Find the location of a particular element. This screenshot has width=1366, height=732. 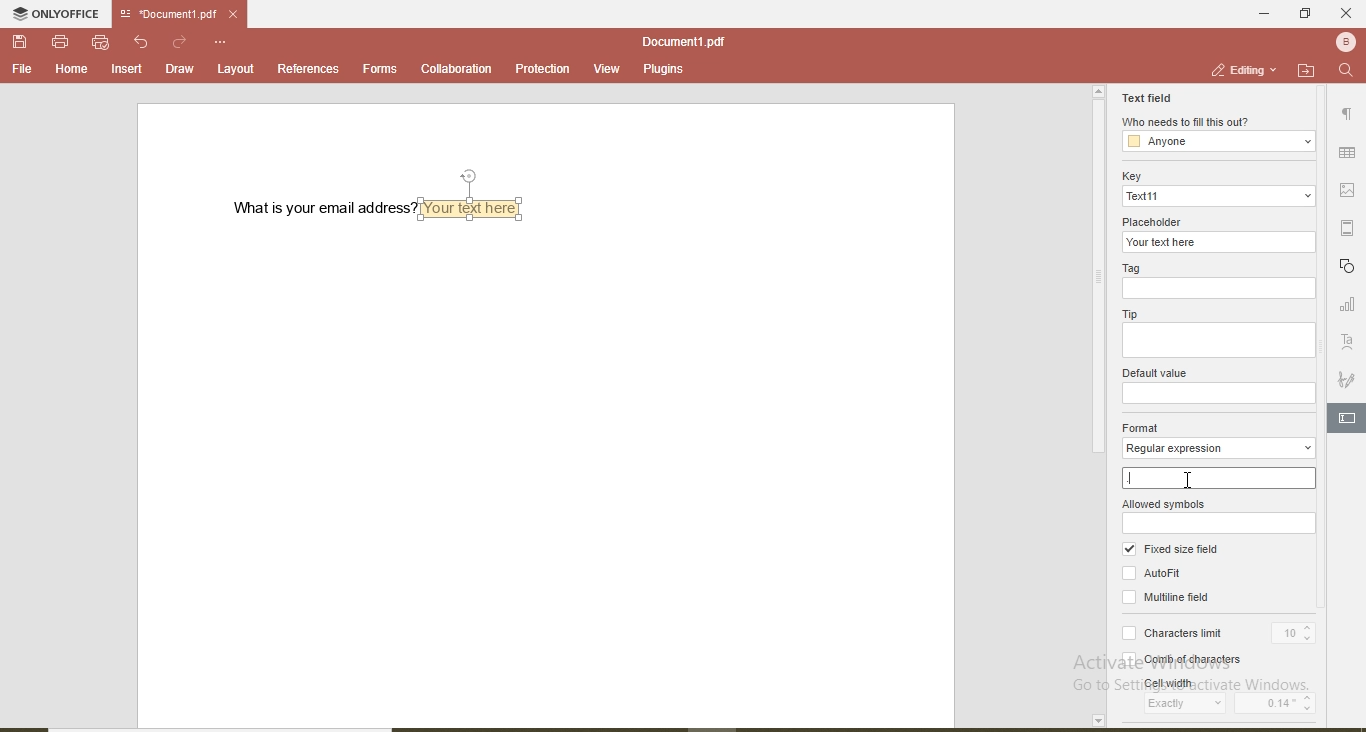

your text here is located at coordinates (1220, 242).